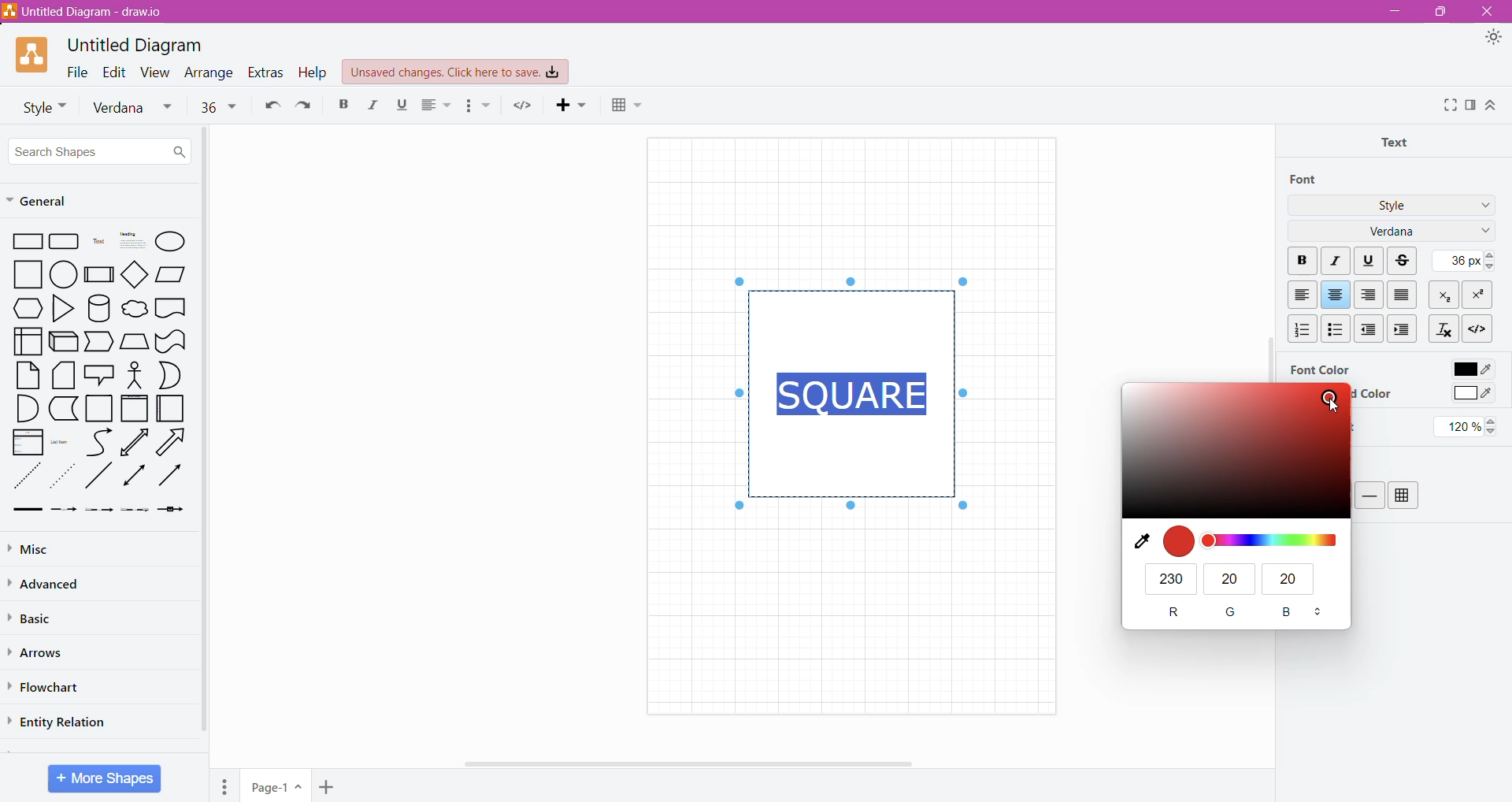  I want to click on Underline, so click(406, 105).